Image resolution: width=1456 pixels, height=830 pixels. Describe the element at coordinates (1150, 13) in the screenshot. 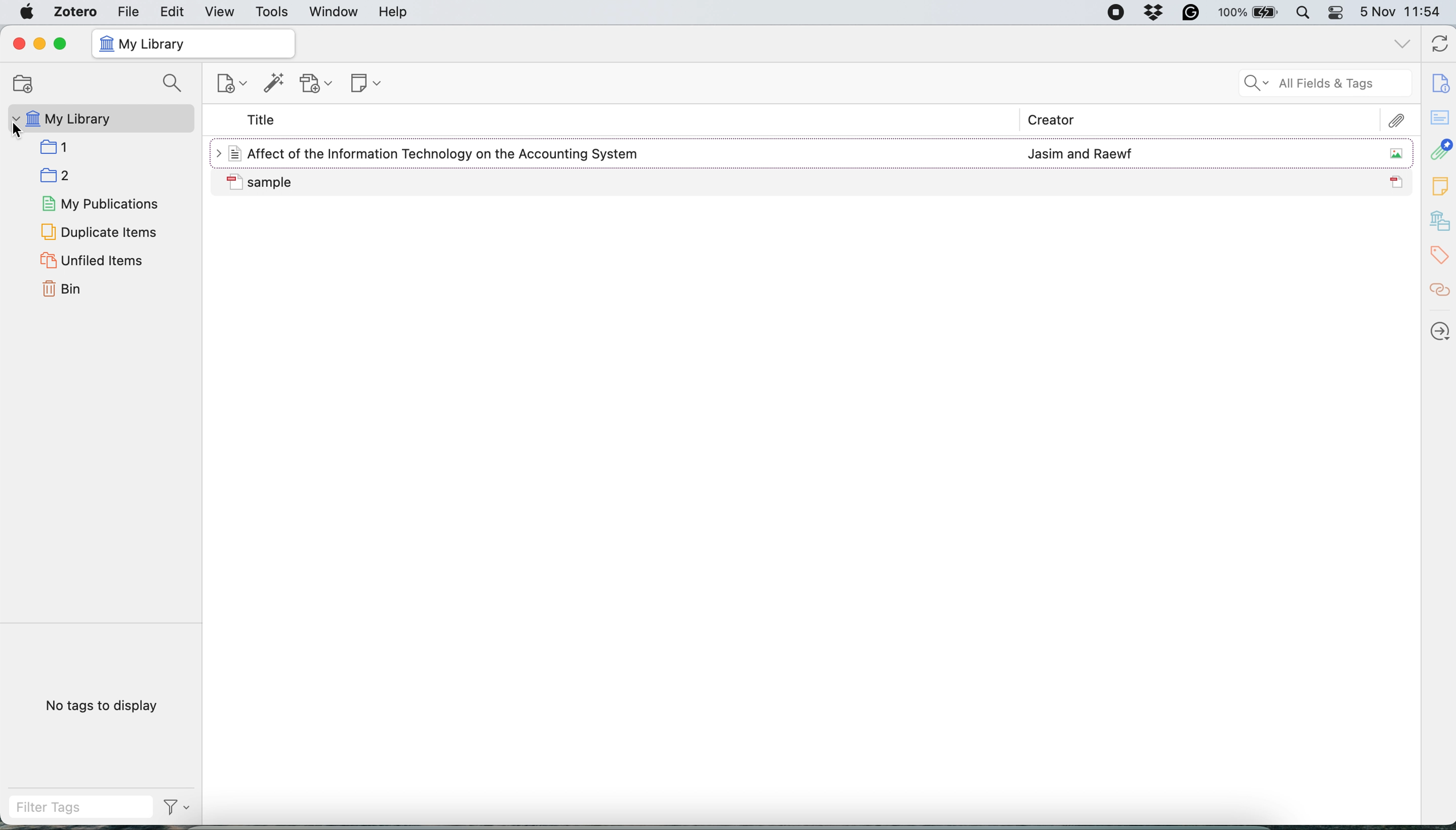

I see `dropbox` at that location.